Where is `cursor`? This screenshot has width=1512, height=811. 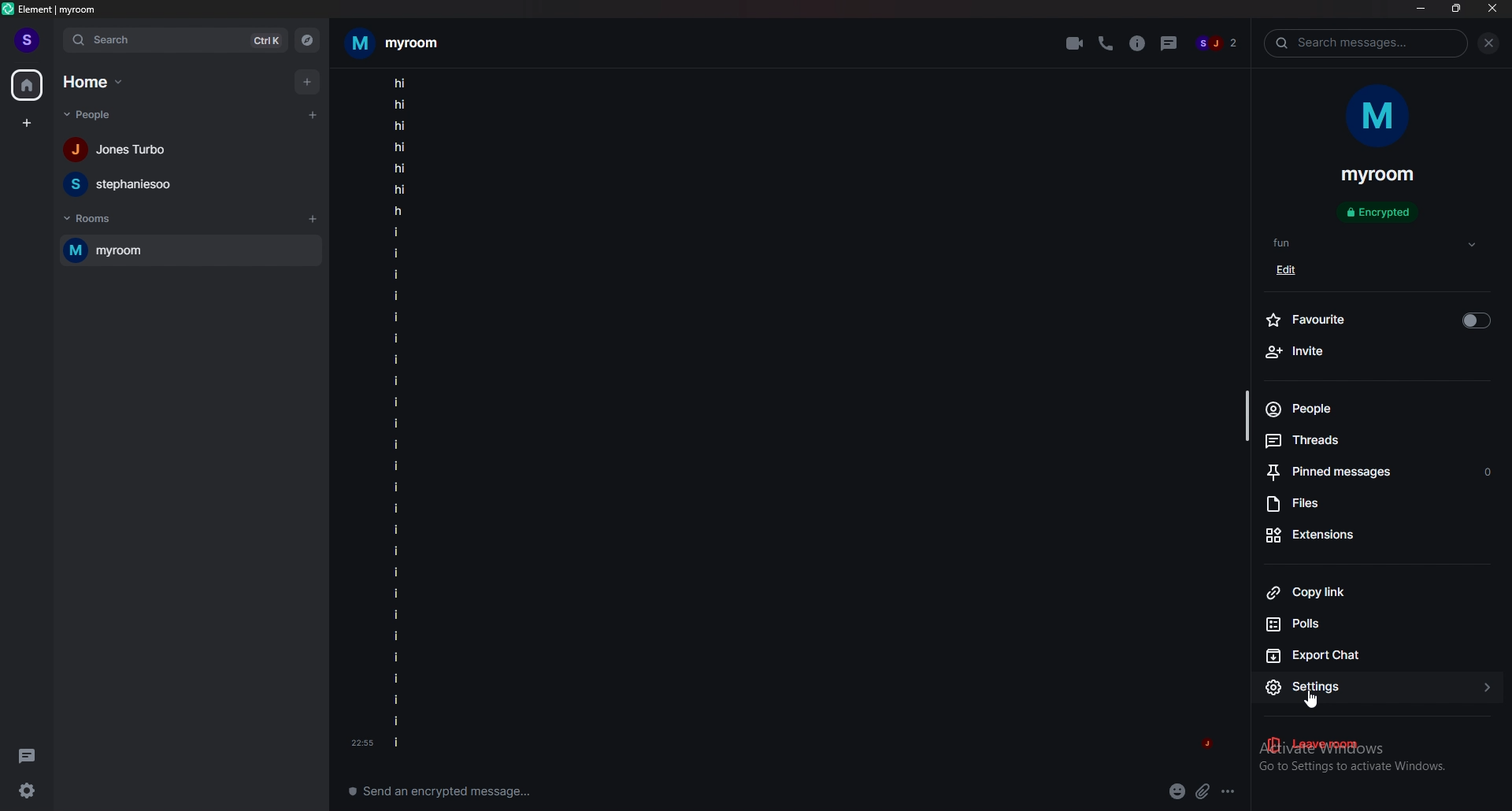
cursor is located at coordinates (1314, 702).